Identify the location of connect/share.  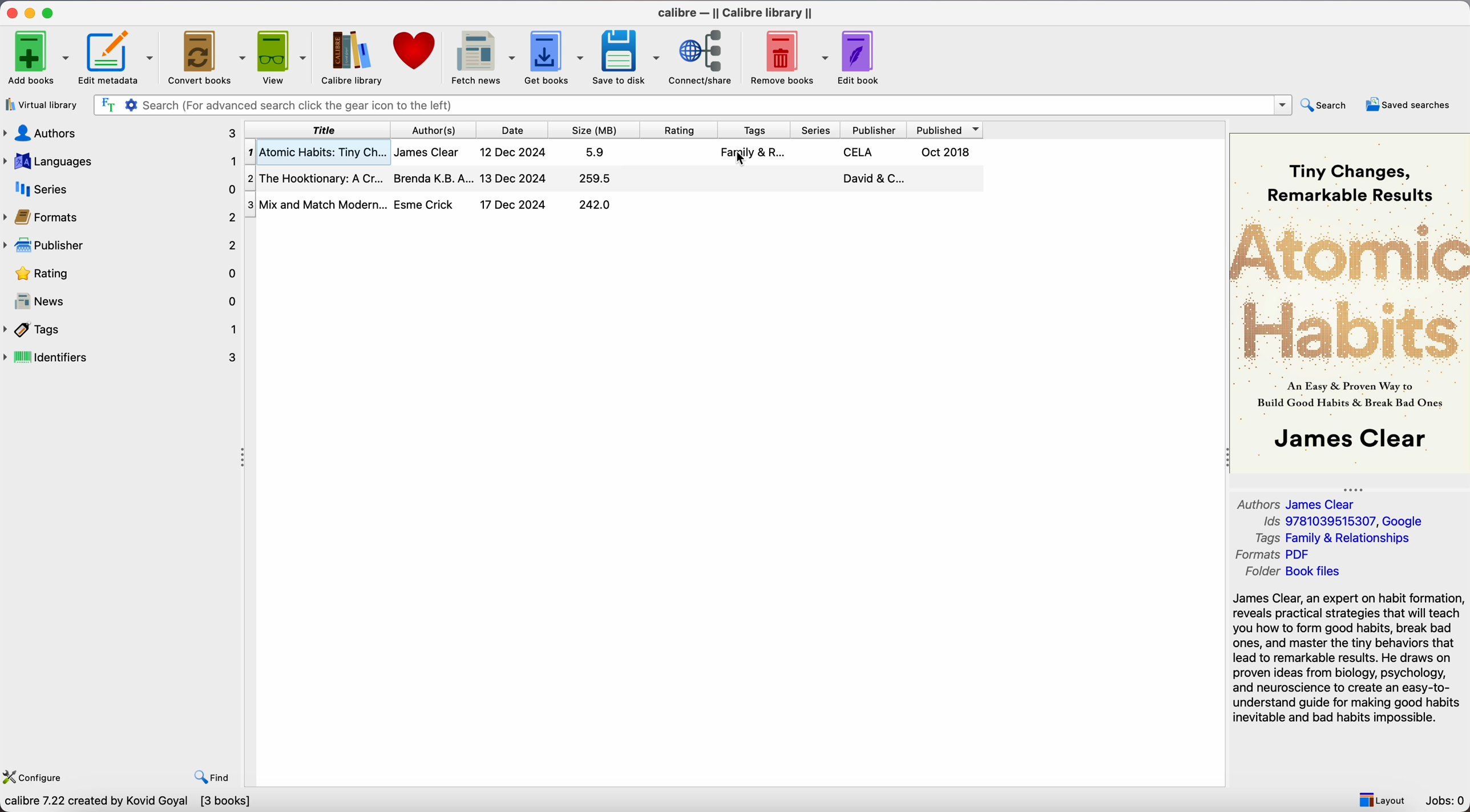
(701, 56).